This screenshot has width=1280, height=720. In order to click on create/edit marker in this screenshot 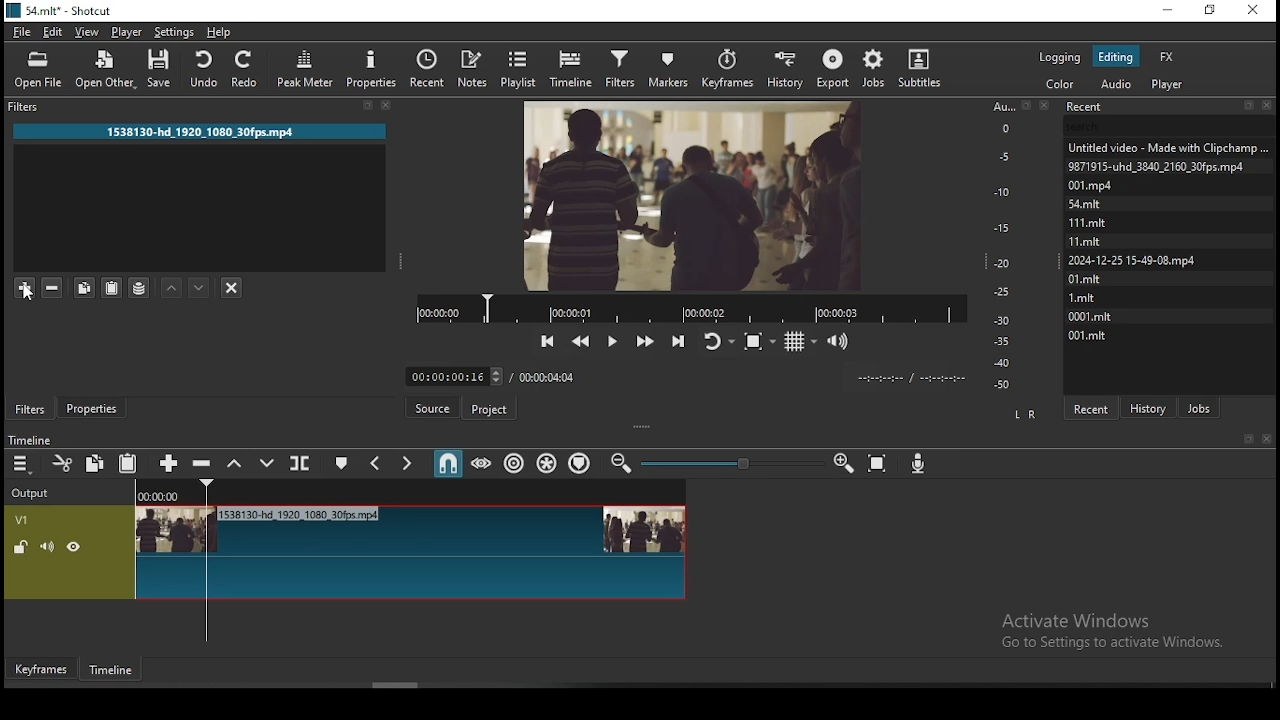, I will do `click(339, 466)`.